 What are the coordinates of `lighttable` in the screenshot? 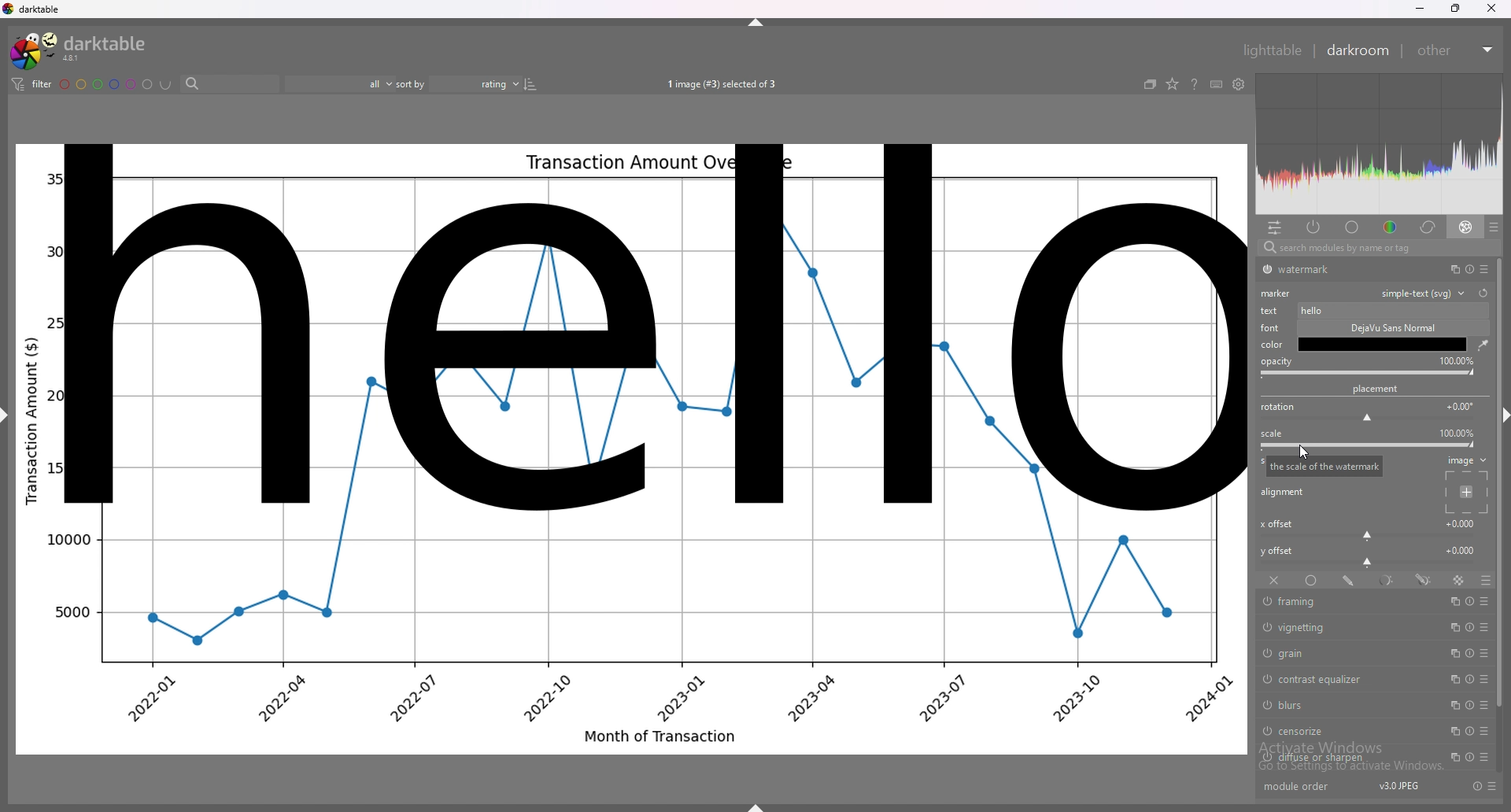 It's located at (1270, 49).